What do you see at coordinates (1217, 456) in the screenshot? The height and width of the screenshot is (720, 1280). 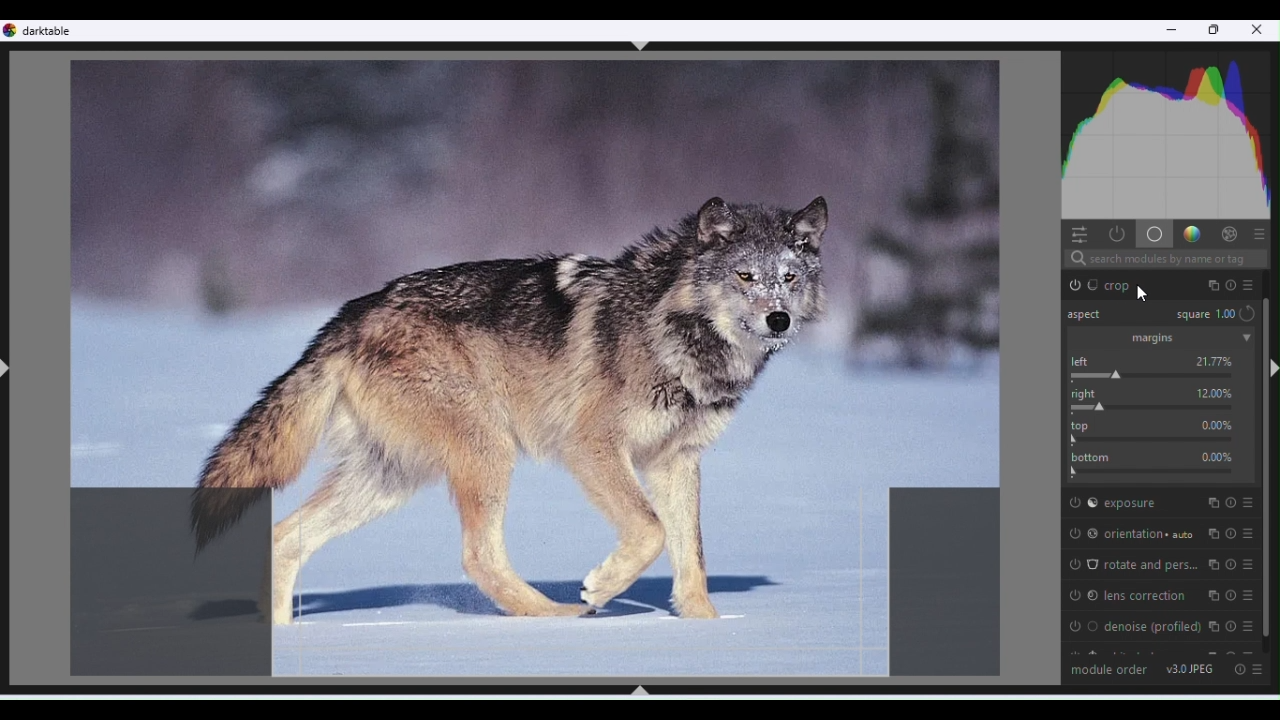 I see `value` at bounding box center [1217, 456].